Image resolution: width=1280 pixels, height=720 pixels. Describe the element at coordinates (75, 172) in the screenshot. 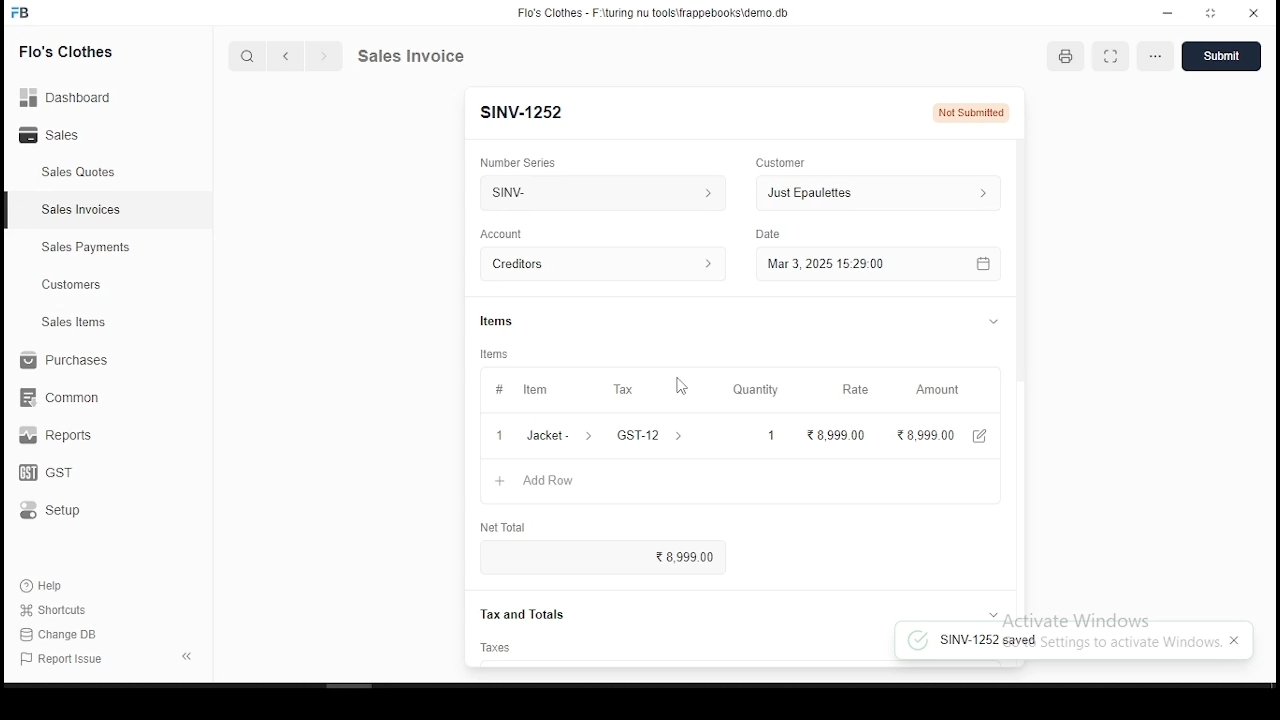

I see `sales` at that location.